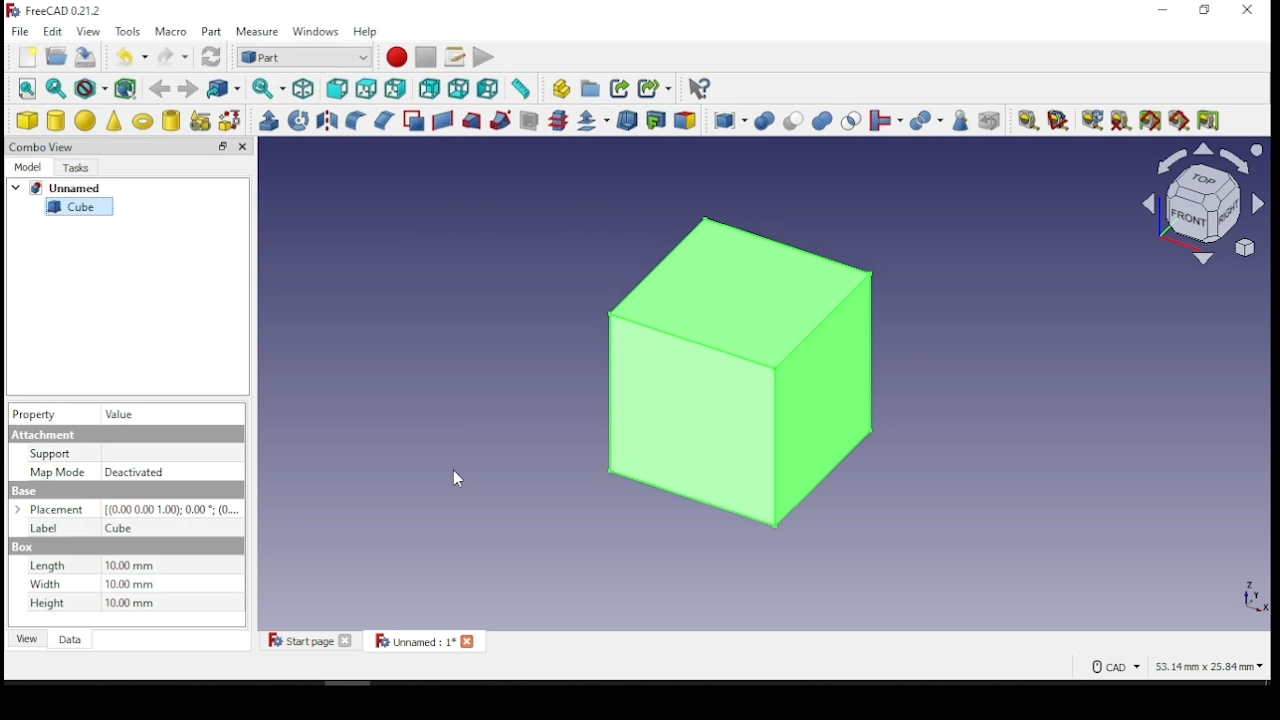 The width and height of the screenshot is (1280, 720). I want to click on cut, so click(794, 120).